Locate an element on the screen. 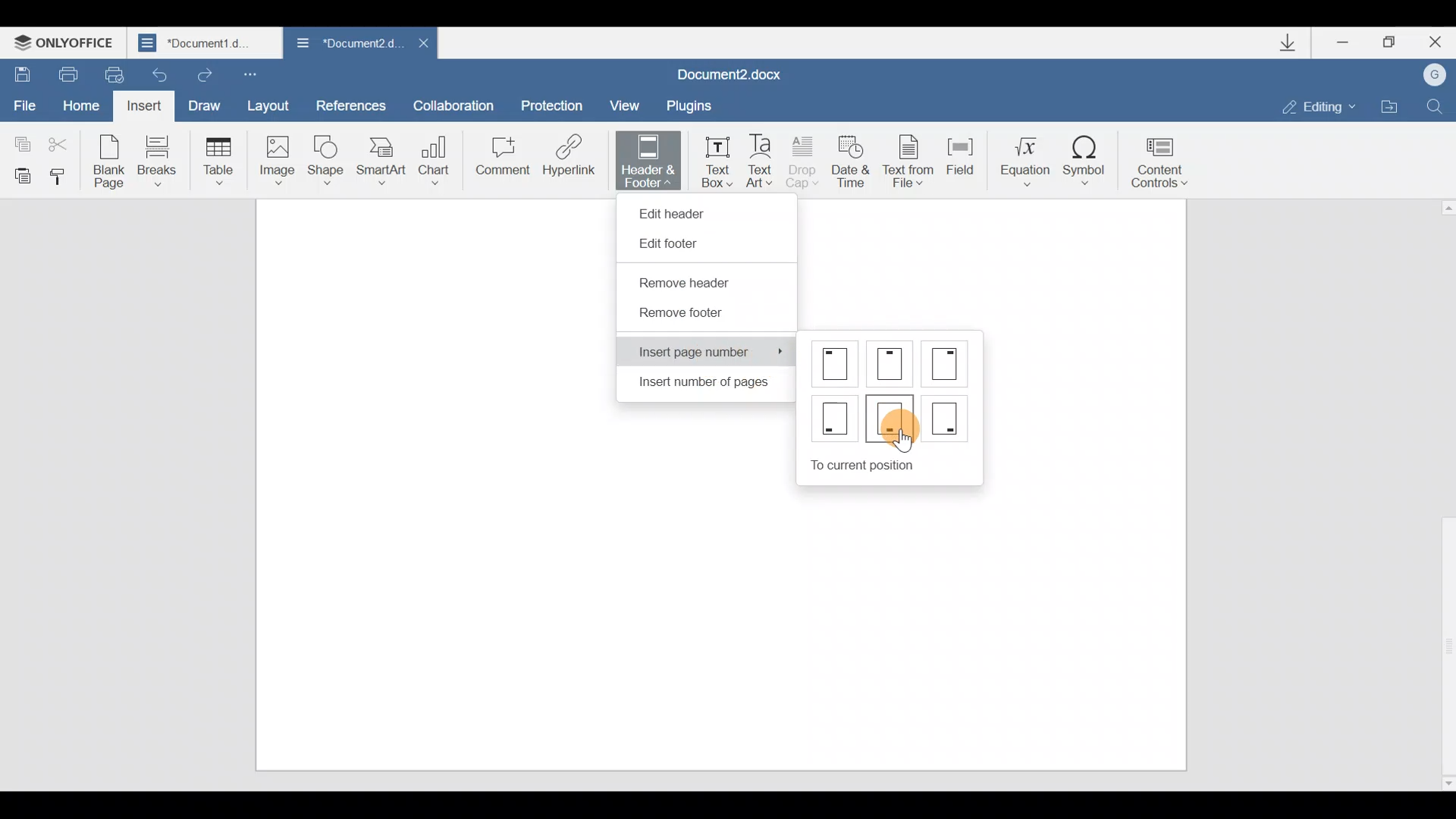  Comment is located at coordinates (500, 159).